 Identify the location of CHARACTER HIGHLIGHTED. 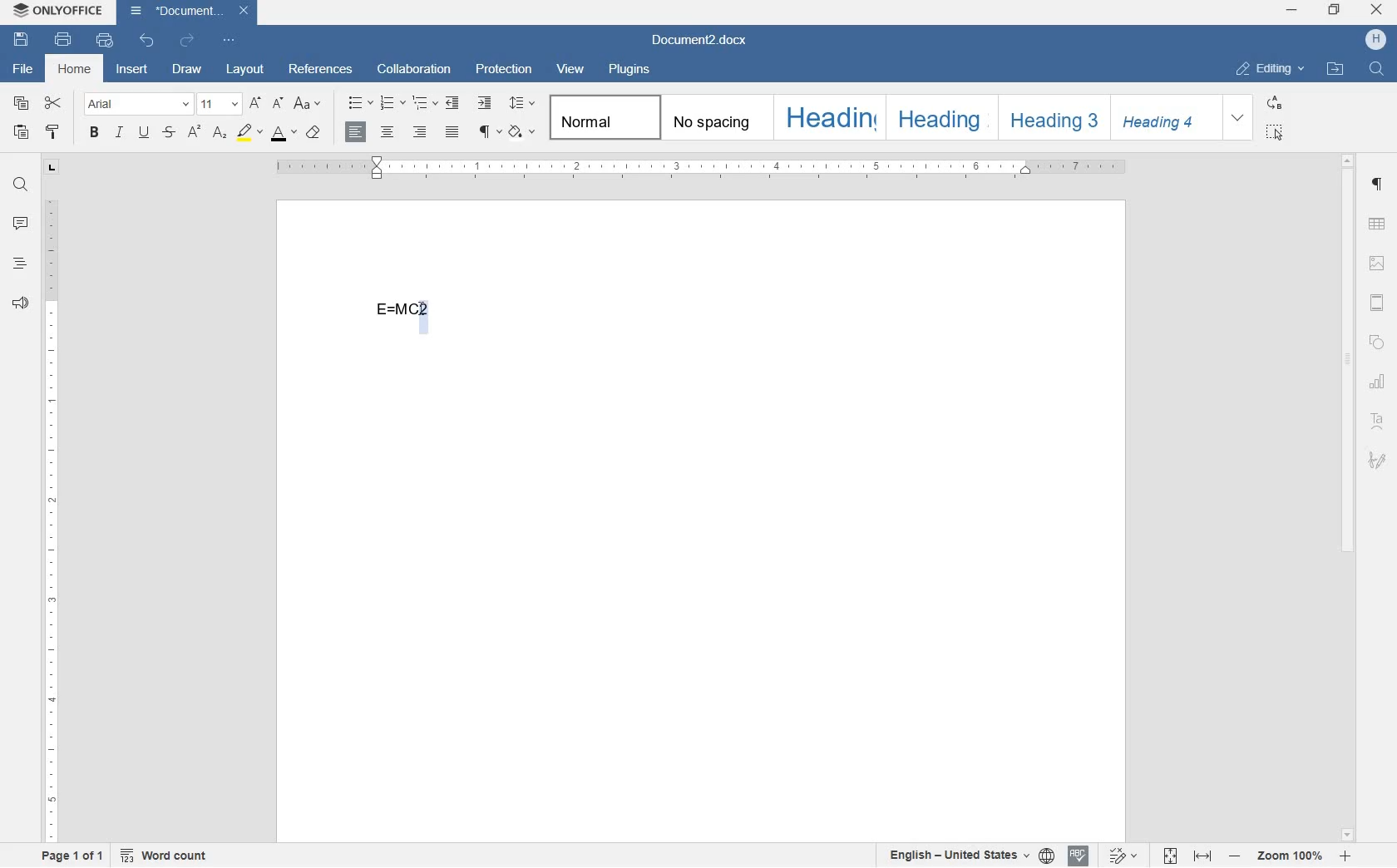
(426, 315).